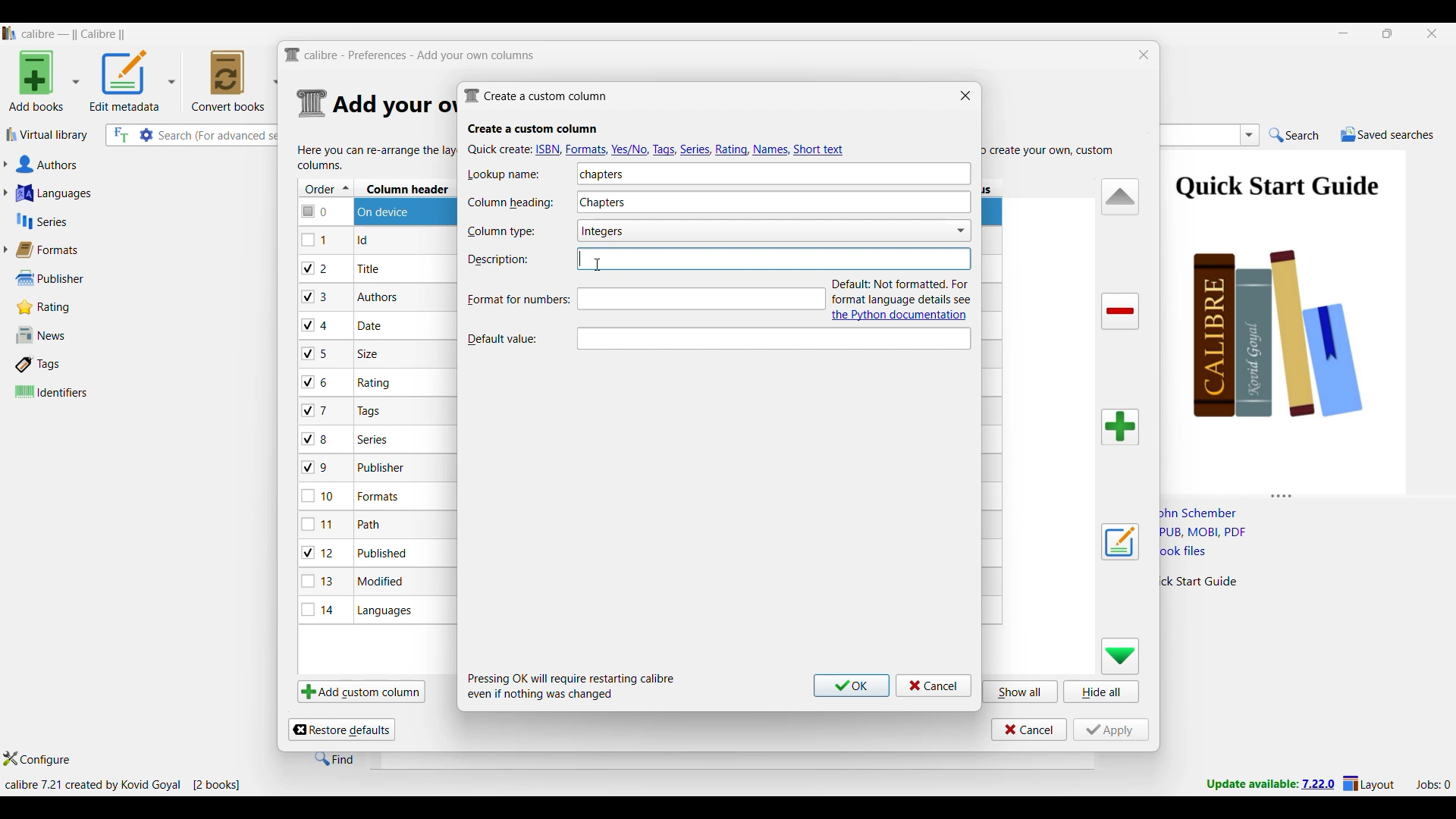  Describe the element at coordinates (1387, 134) in the screenshot. I see `Saved searches` at that location.